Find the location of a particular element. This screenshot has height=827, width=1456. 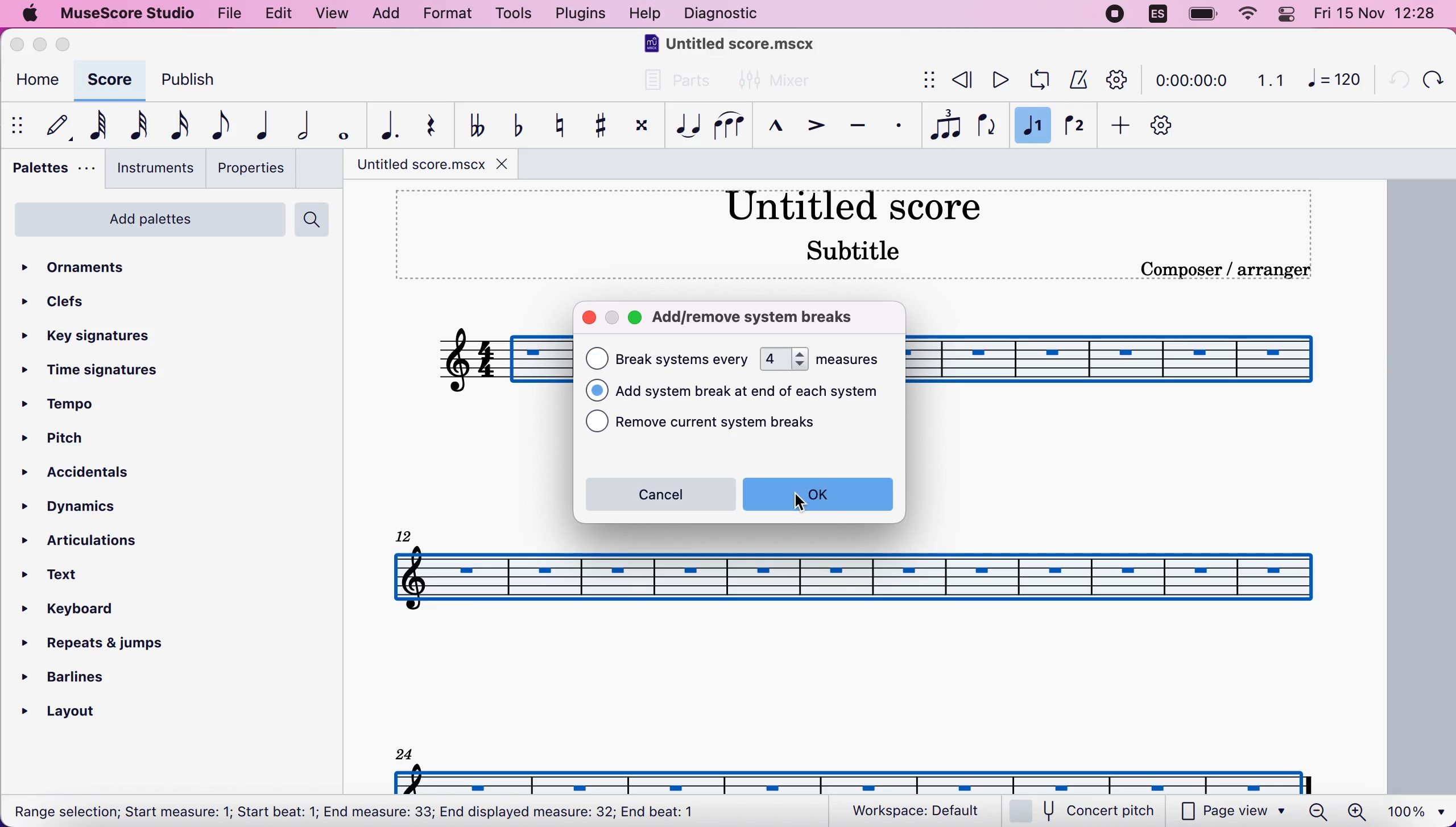

mac logo is located at coordinates (28, 15).